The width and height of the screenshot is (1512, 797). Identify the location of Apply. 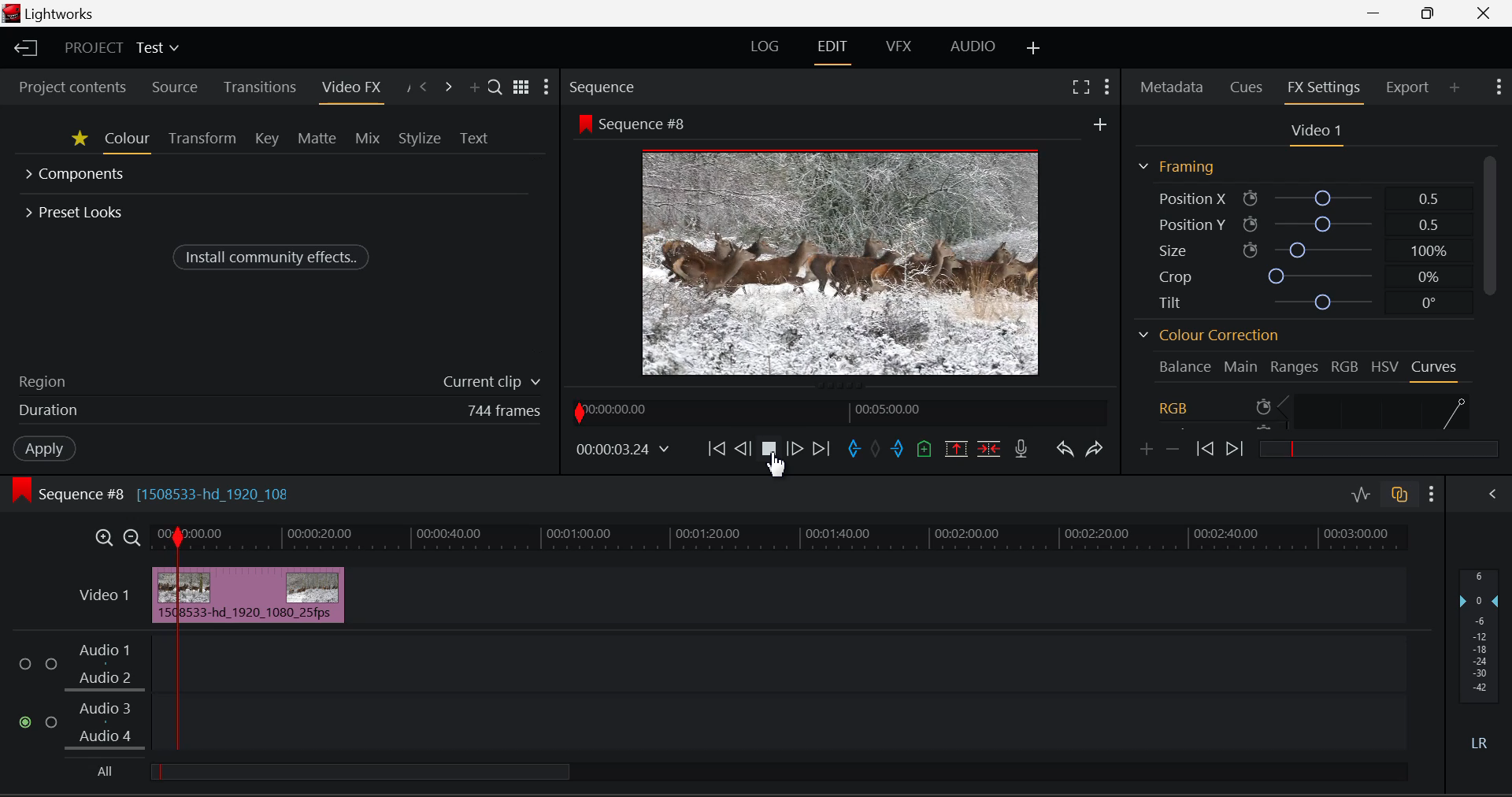
(43, 449).